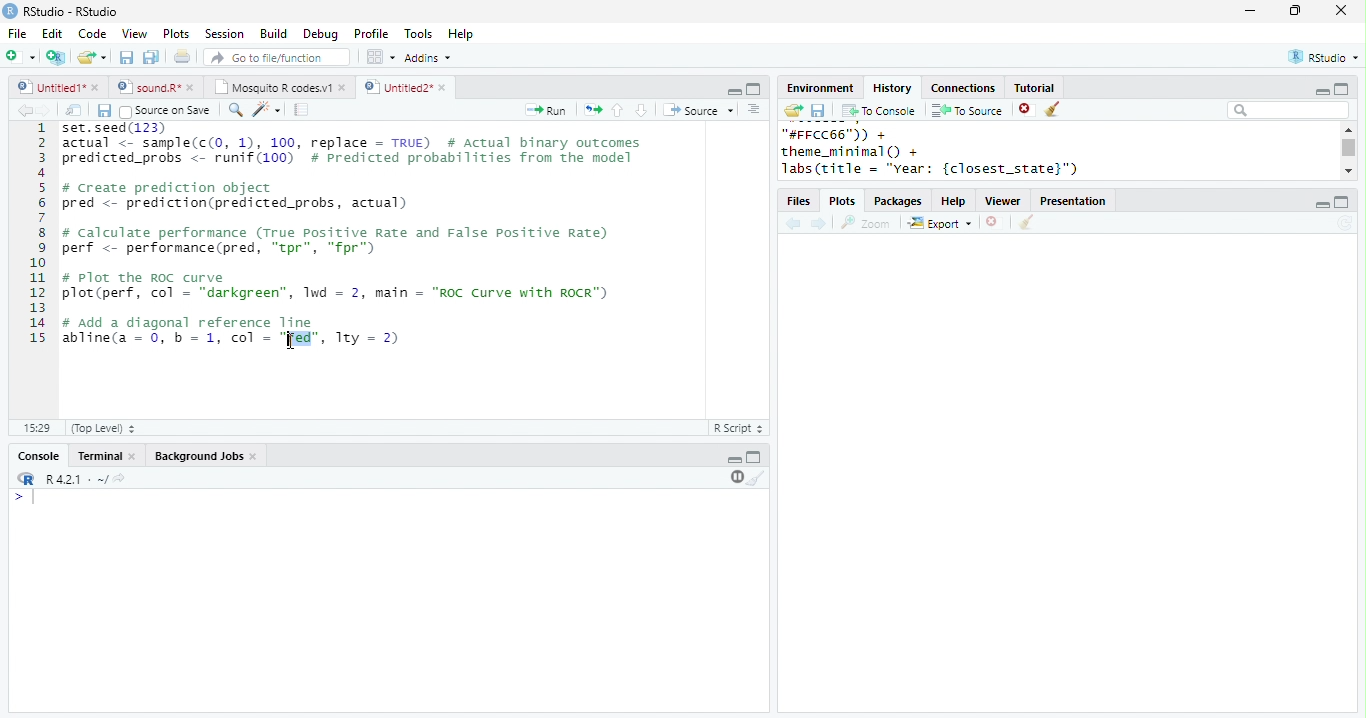 This screenshot has height=718, width=1366. Describe the element at coordinates (20, 56) in the screenshot. I see `new file` at that location.